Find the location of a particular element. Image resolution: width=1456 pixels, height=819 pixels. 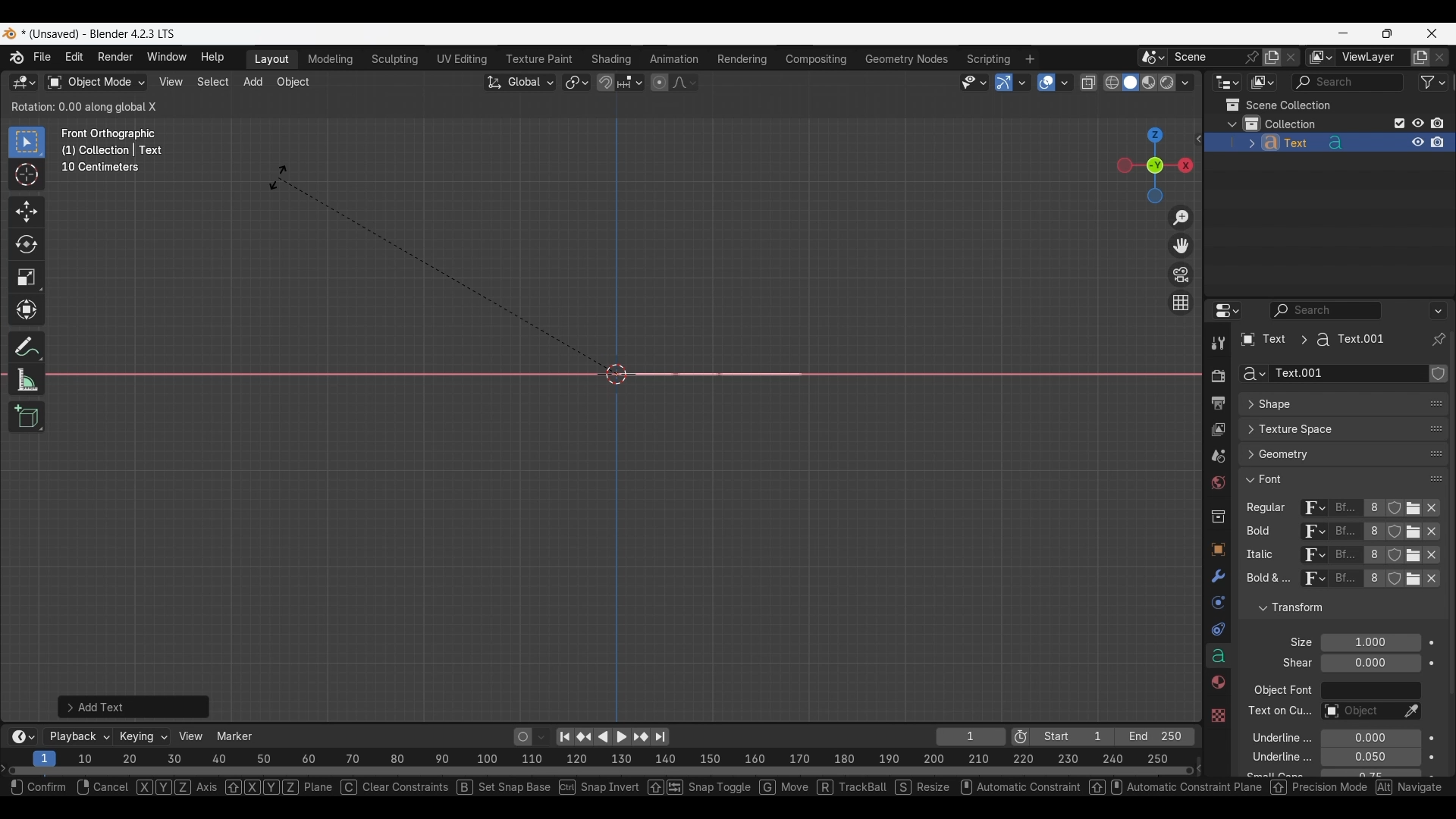

Minimize is located at coordinates (1344, 33).